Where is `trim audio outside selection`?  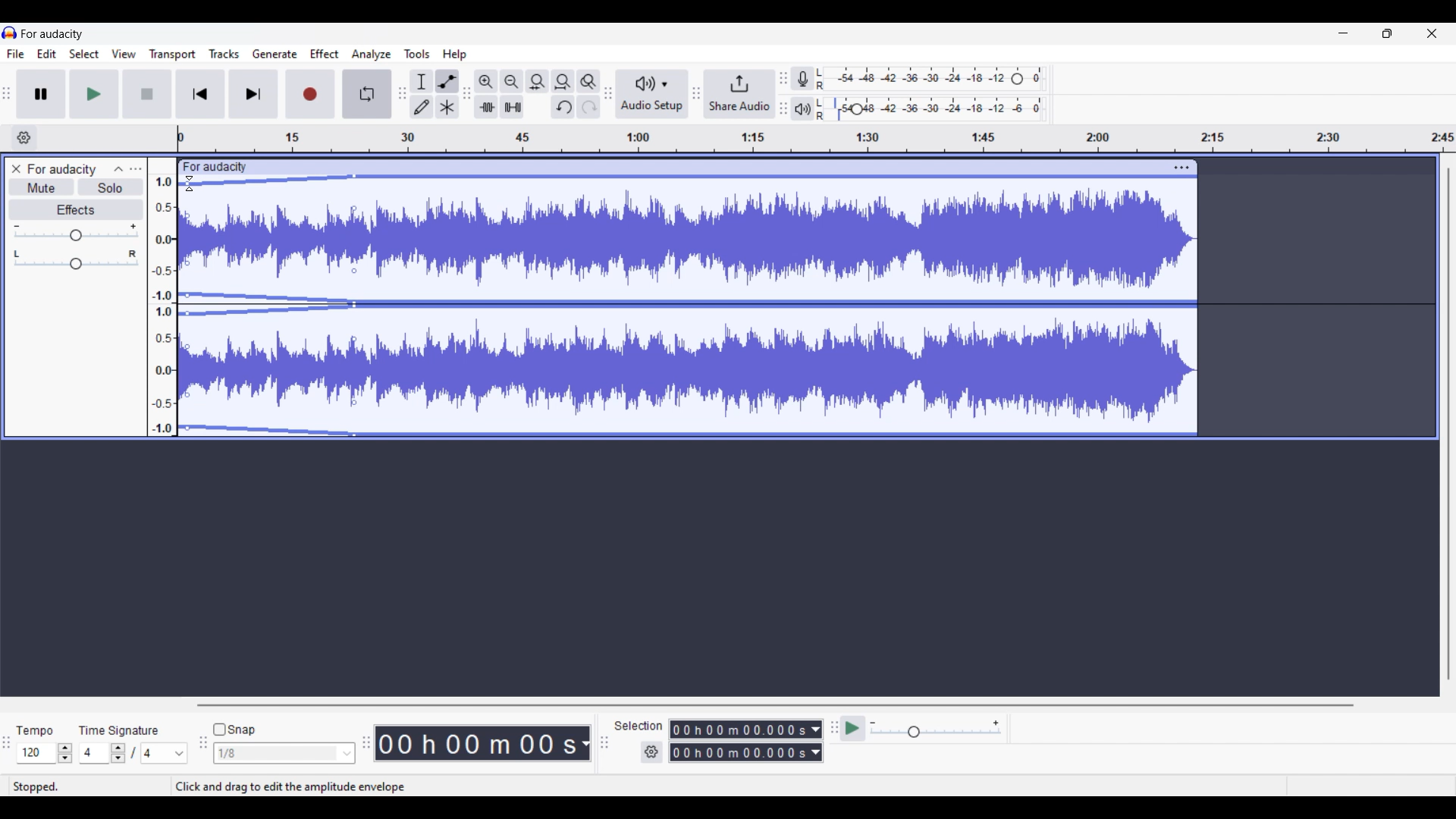 trim audio outside selection is located at coordinates (486, 107).